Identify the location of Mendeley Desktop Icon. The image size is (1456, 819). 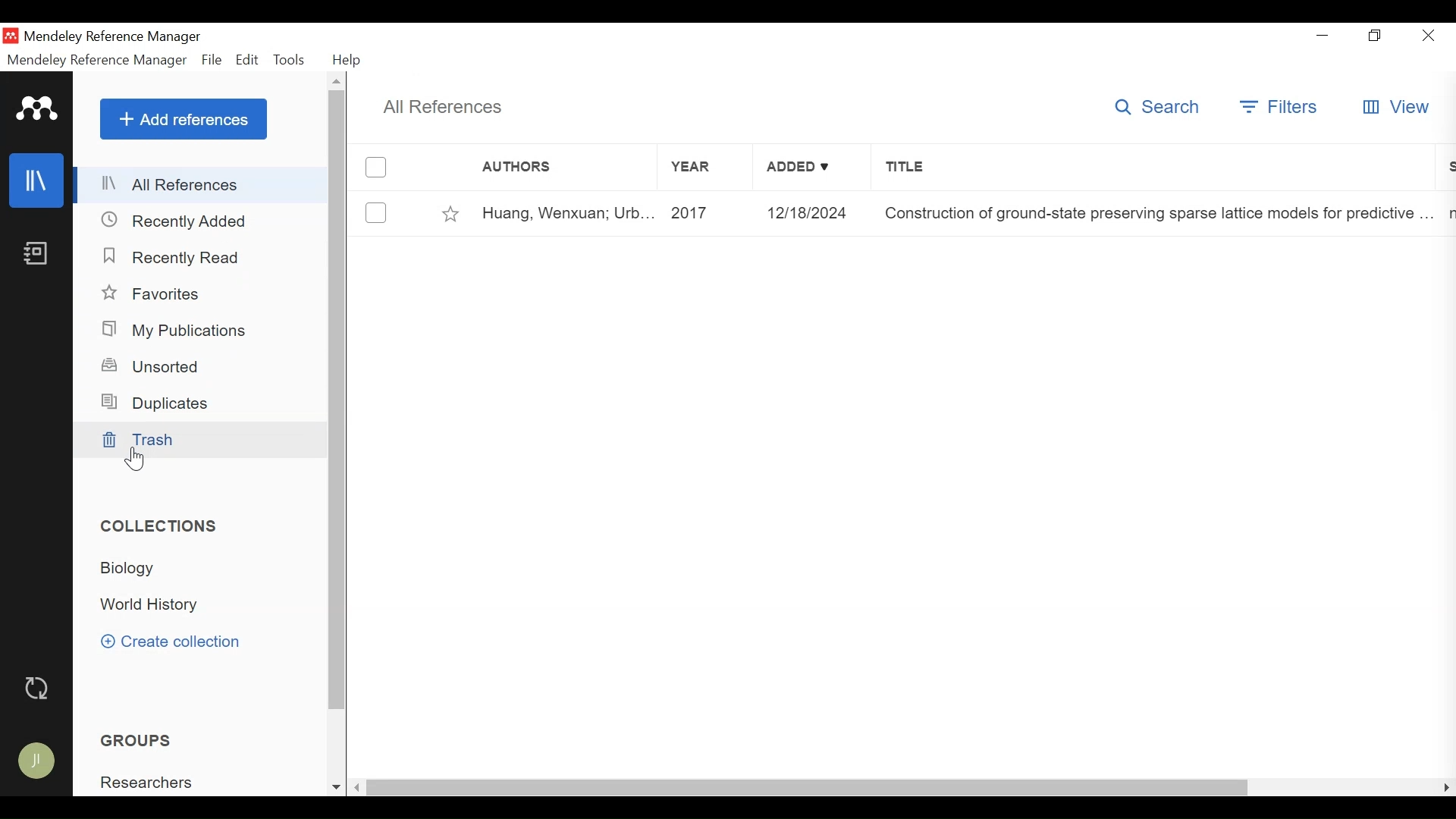
(11, 36).